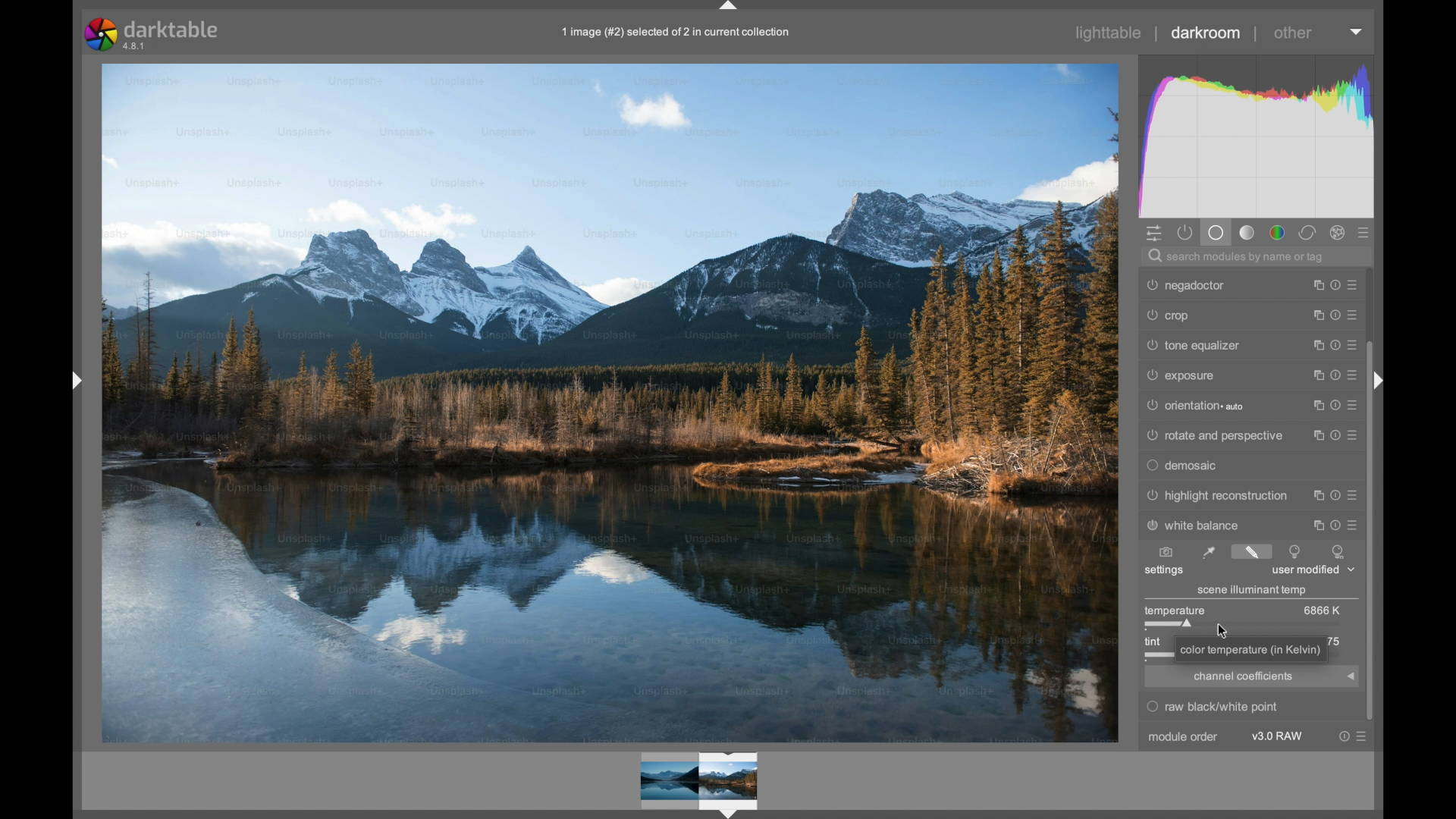 The height and width of the screenshot is (819, 1456). I want to click on tone, so click(1247, 232).